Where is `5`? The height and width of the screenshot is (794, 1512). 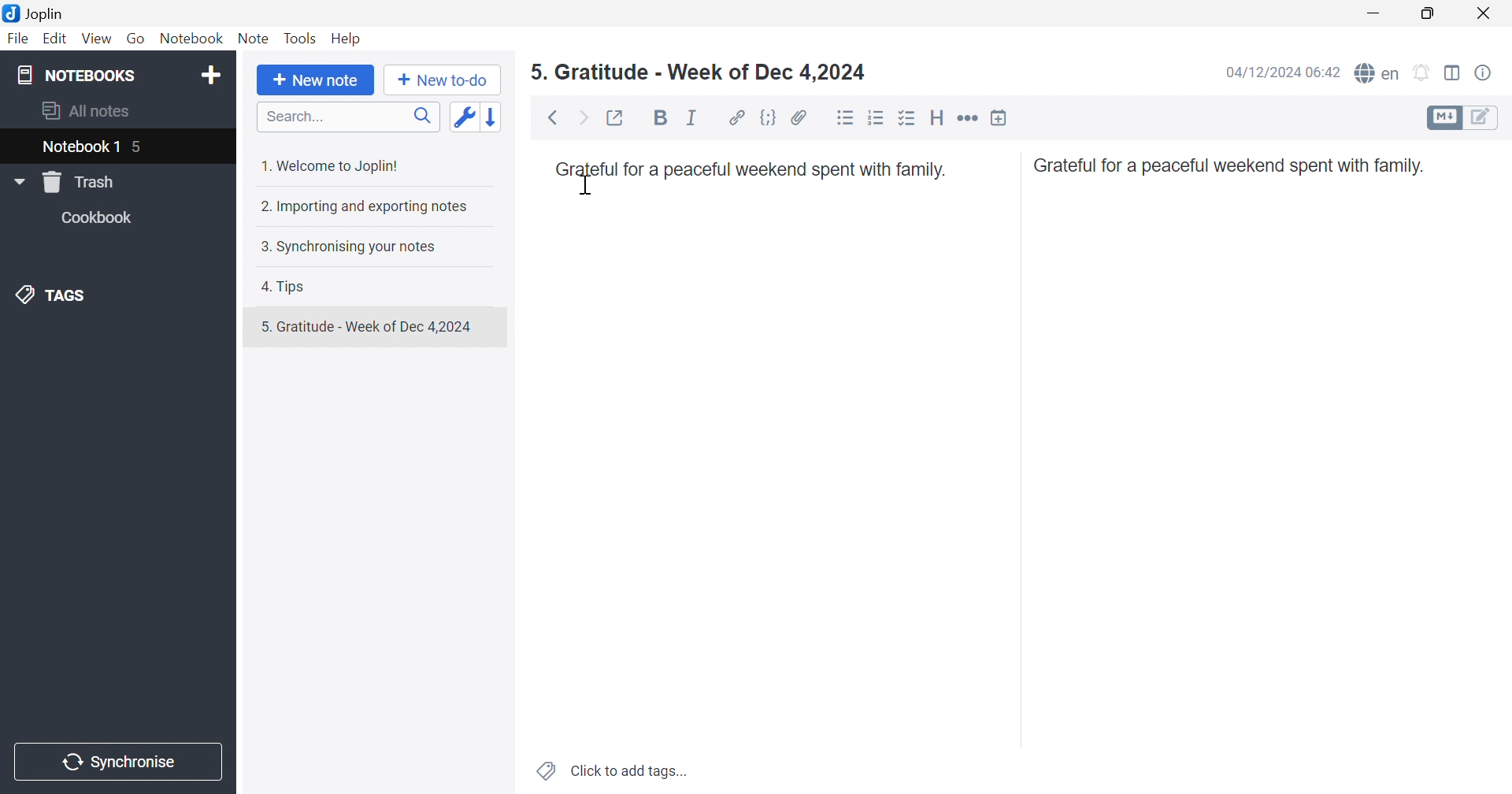
5 is located at coordinates (139, 145).